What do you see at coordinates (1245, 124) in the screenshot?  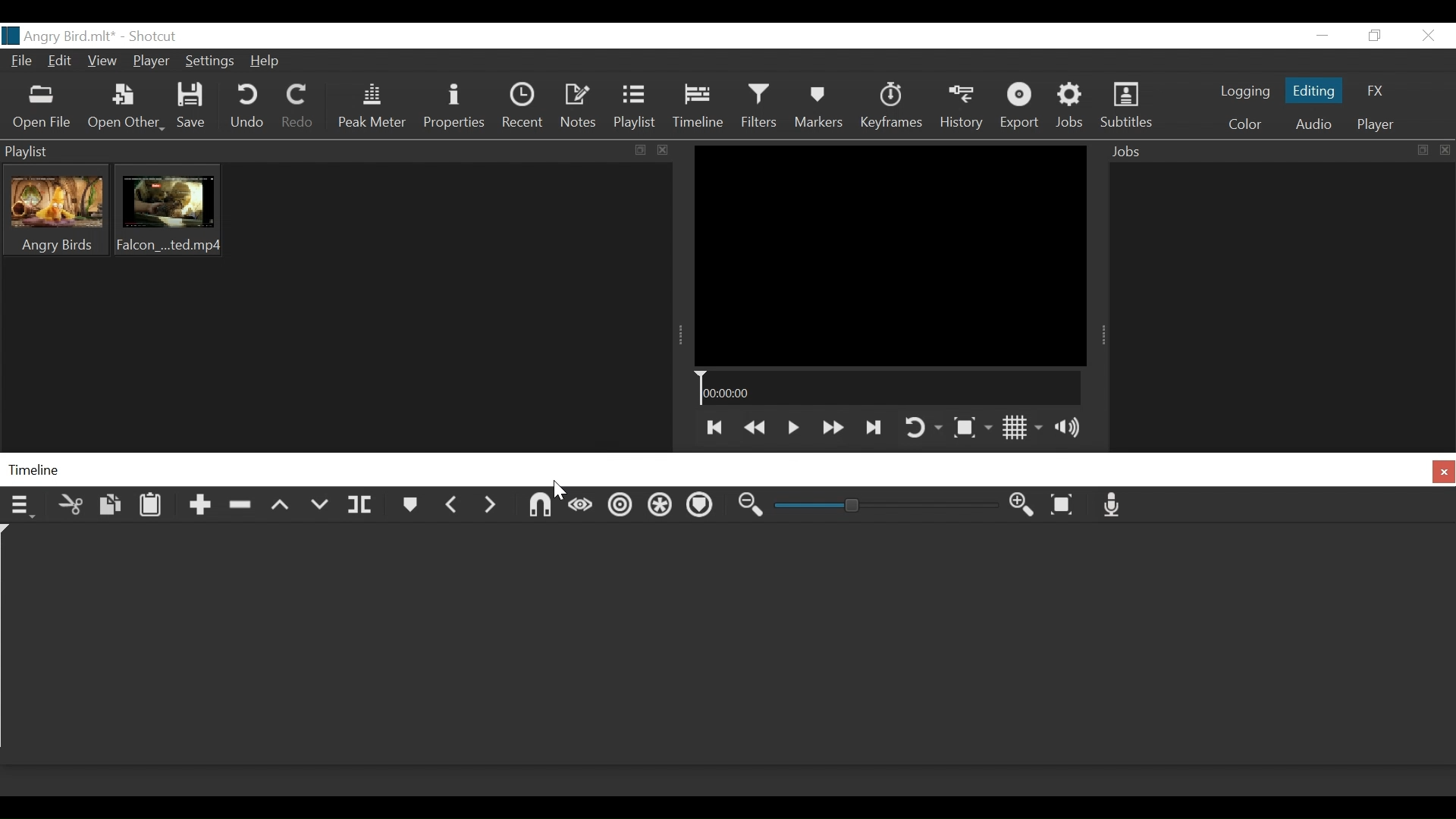 I see `Color` at bounding box center [1245, 124].